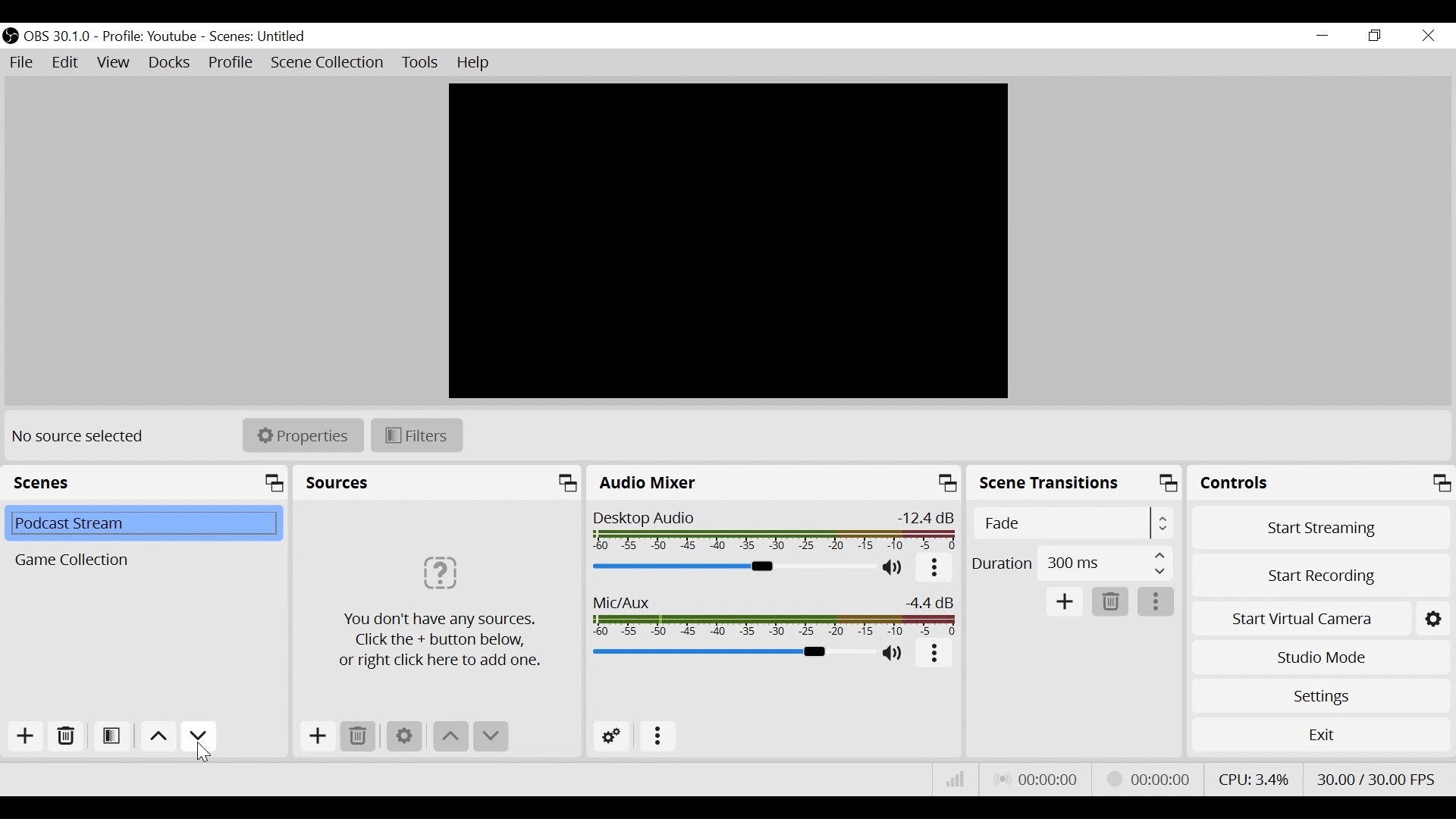 This screenshot has width=1456, height=819. Describe the element at coordinates (357, 736) in the screenshot. I see `Delete` at that location.